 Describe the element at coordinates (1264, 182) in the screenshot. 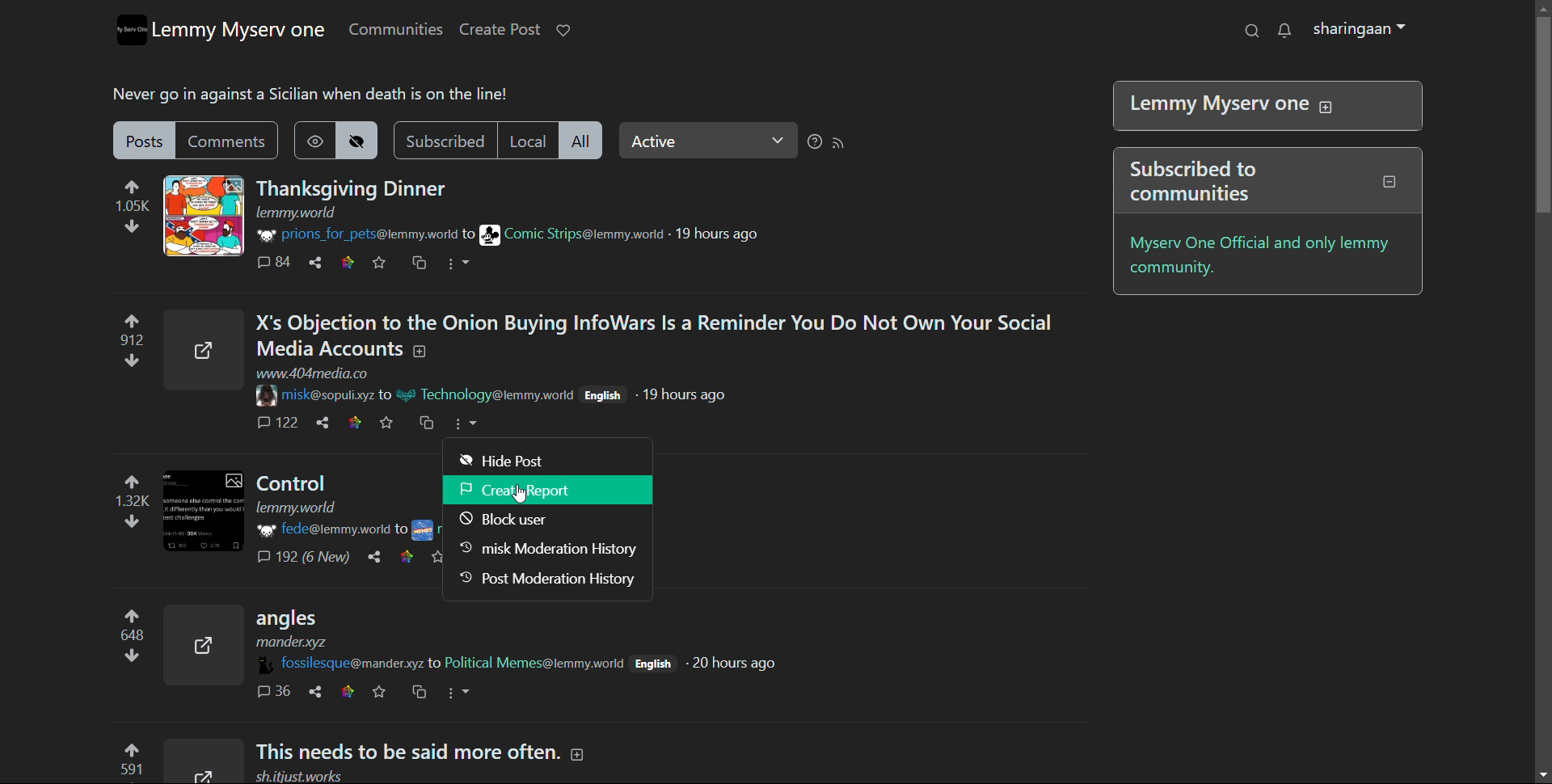

I see `Subscribed to communities` at that location.